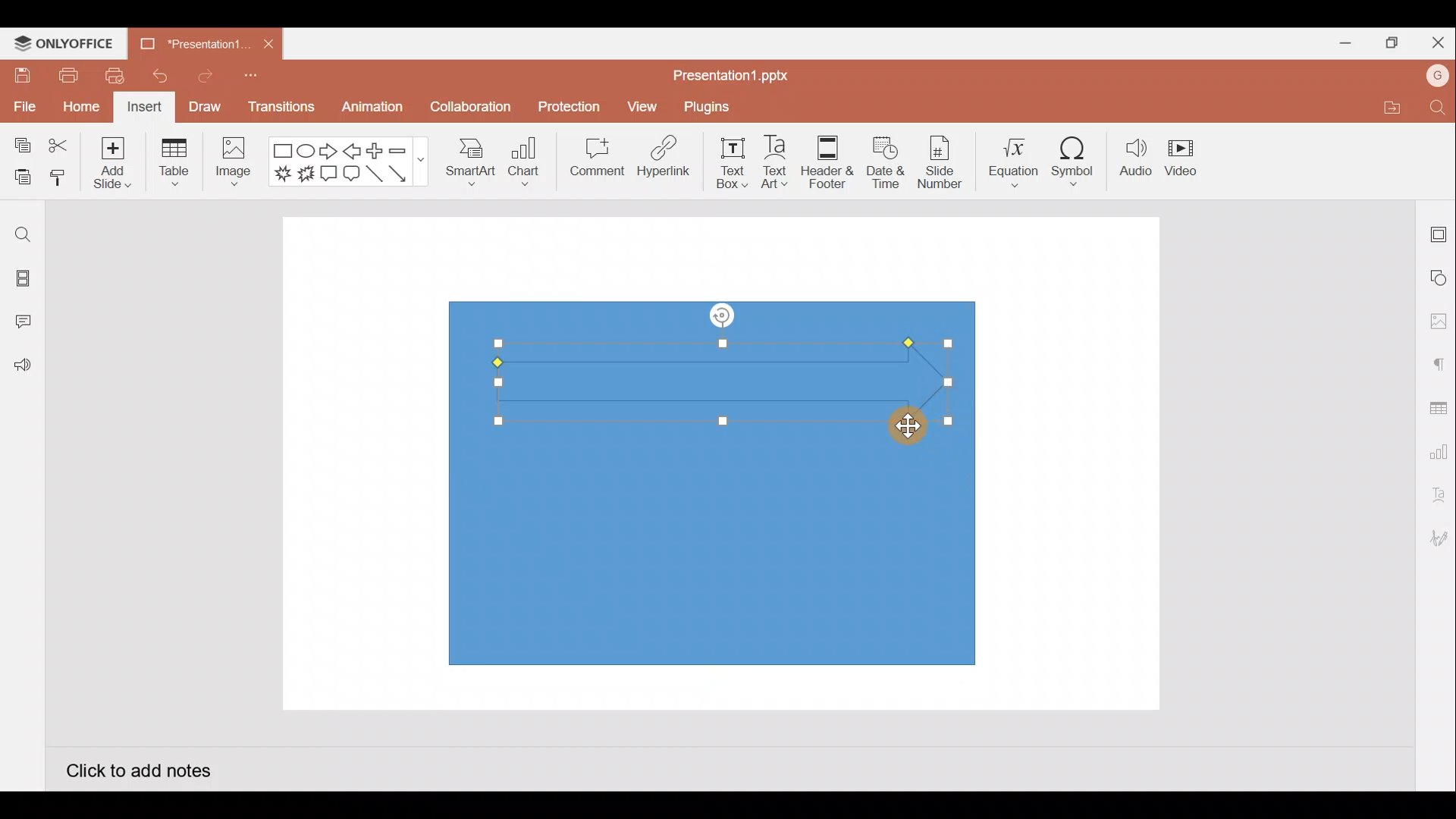 The image size is (1456, 819). What do you see at coordinates (1183, 155) in the screenshot?
I see `Video` at bounding box center [1183, 155].